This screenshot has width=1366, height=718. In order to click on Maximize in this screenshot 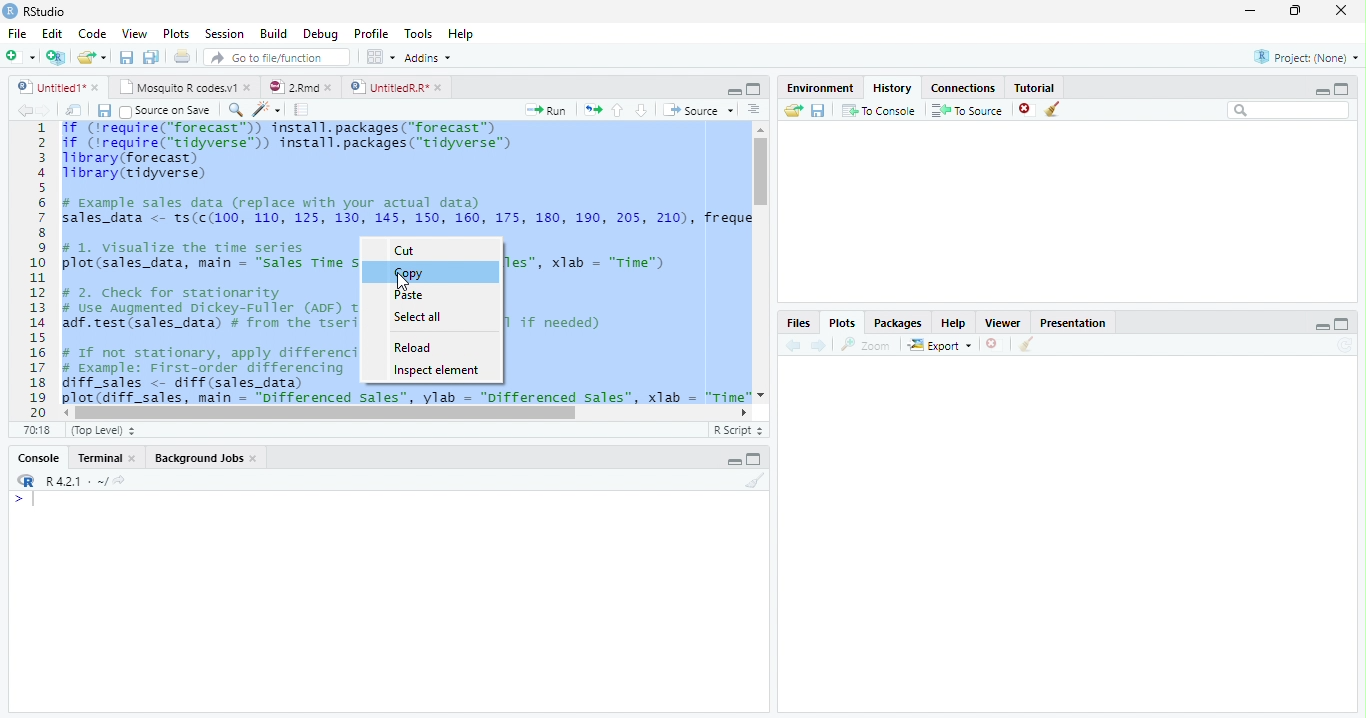, I will do `click(756, 460)`.